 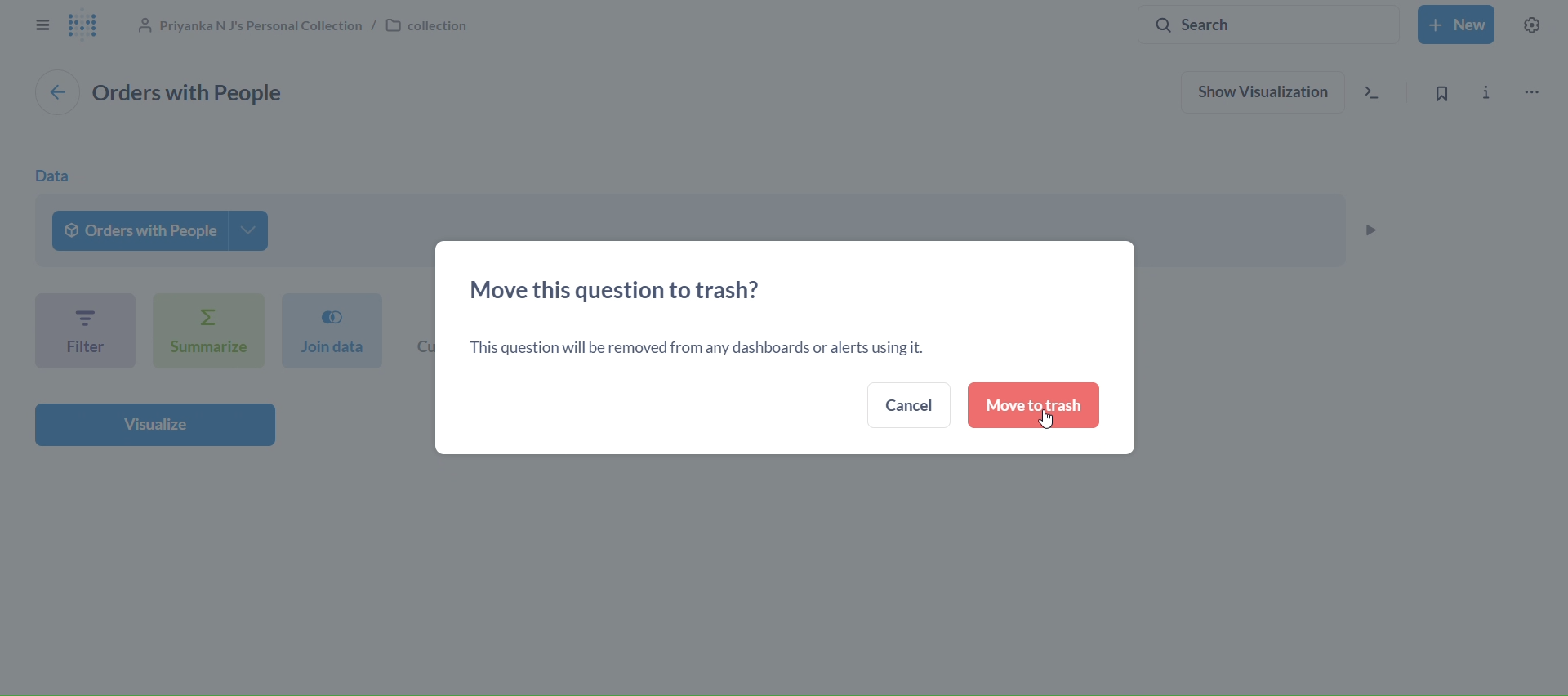 What do you see at coordinates (204, 330) in the screenshot?
I see `summarize` at bounding box center [204, 330].